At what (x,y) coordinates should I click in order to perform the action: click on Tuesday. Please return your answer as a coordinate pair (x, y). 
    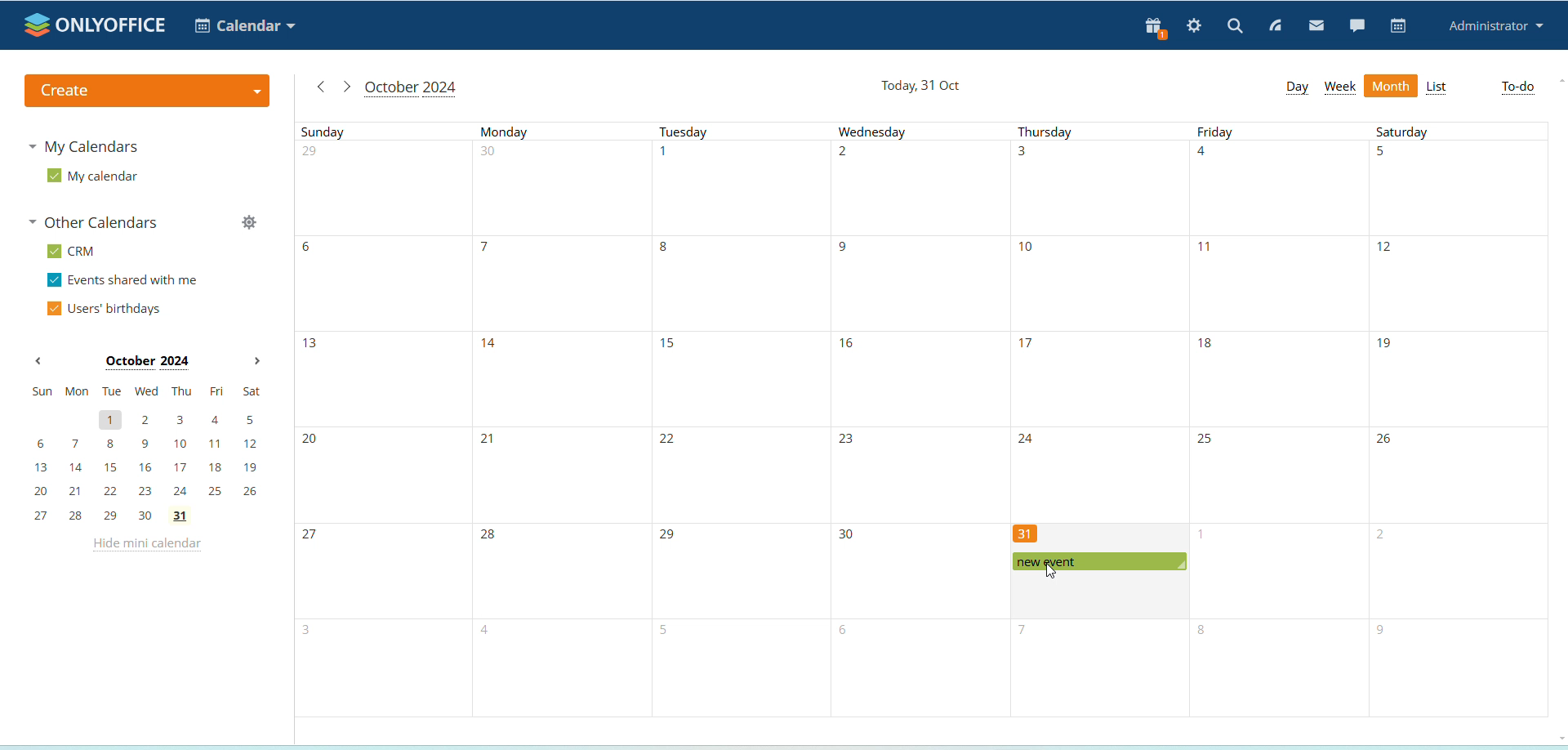
    Looking at the image, I should click on (737, 421).